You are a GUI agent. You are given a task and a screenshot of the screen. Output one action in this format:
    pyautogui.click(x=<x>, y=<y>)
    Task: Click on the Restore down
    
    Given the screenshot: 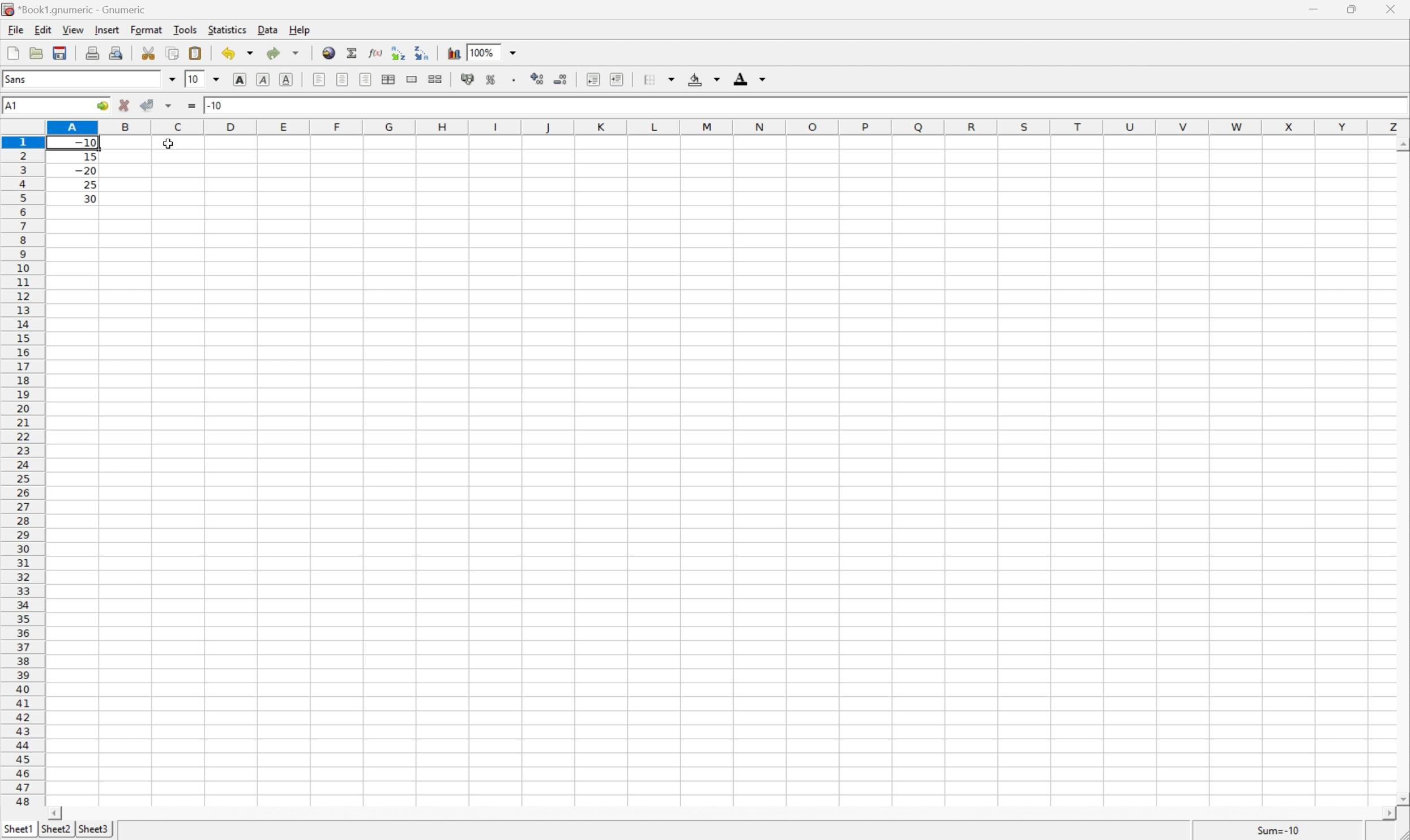 What is the action you would take?
    pyautogui.click(x=1349, y=10)
    